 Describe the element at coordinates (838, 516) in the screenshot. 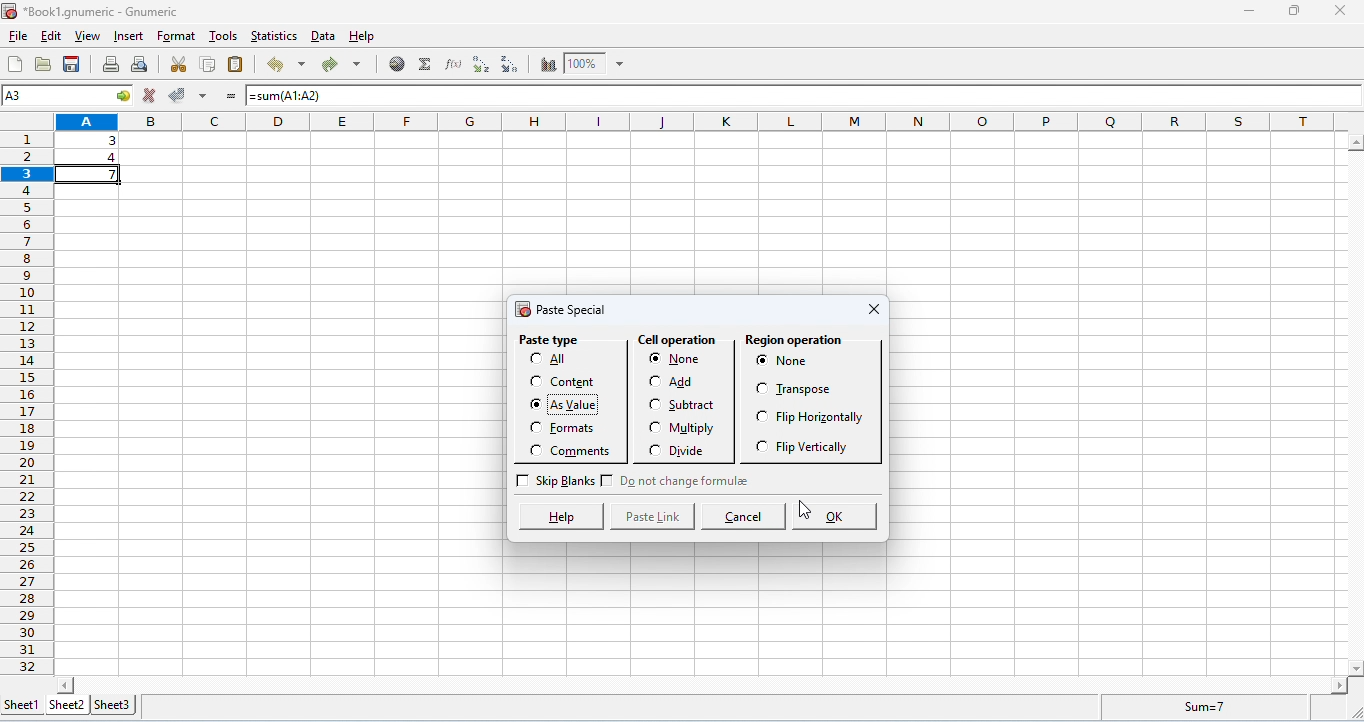

I see `ok` at that location.